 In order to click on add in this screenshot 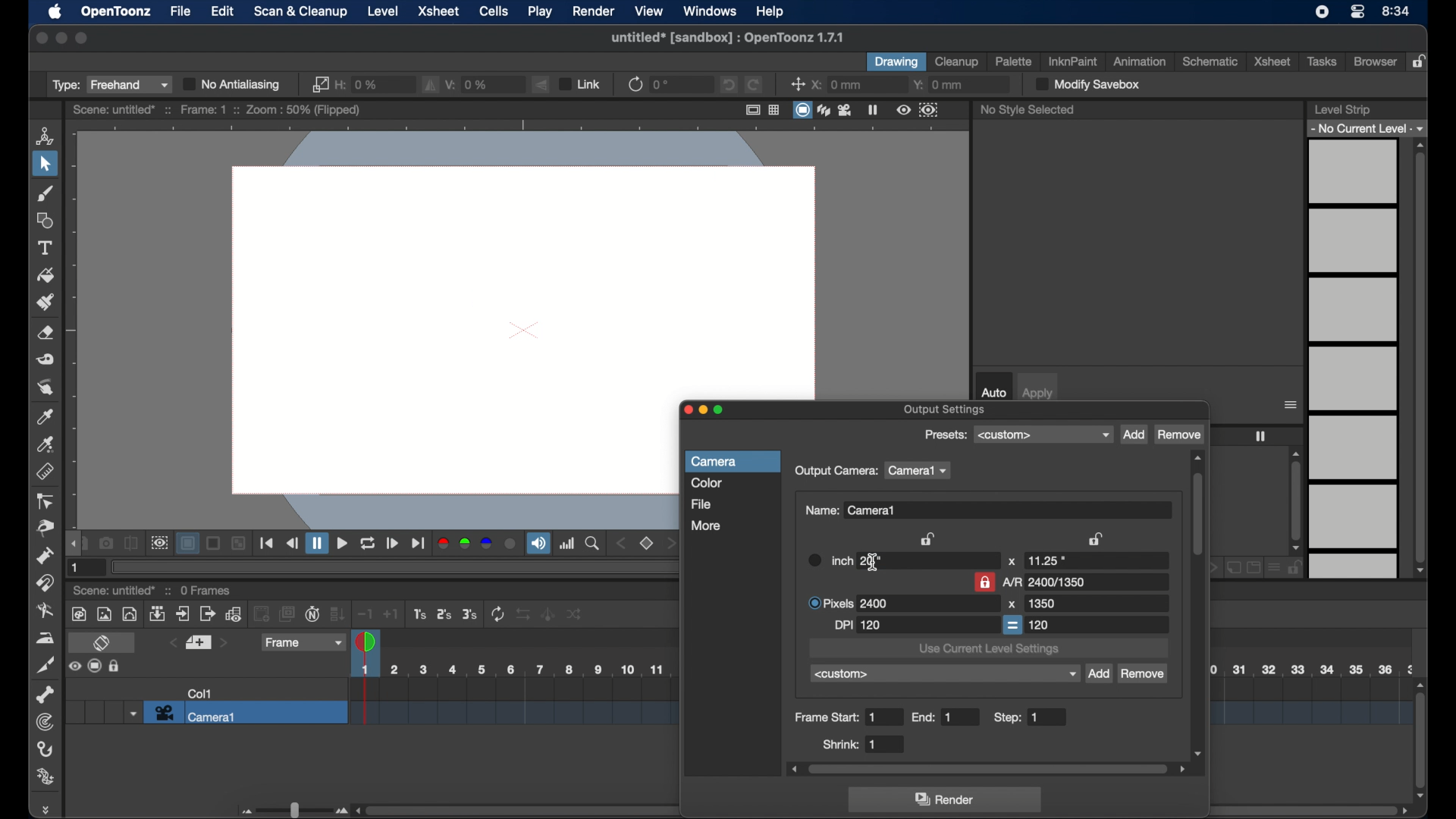, I will do `click(1098, 674)`.